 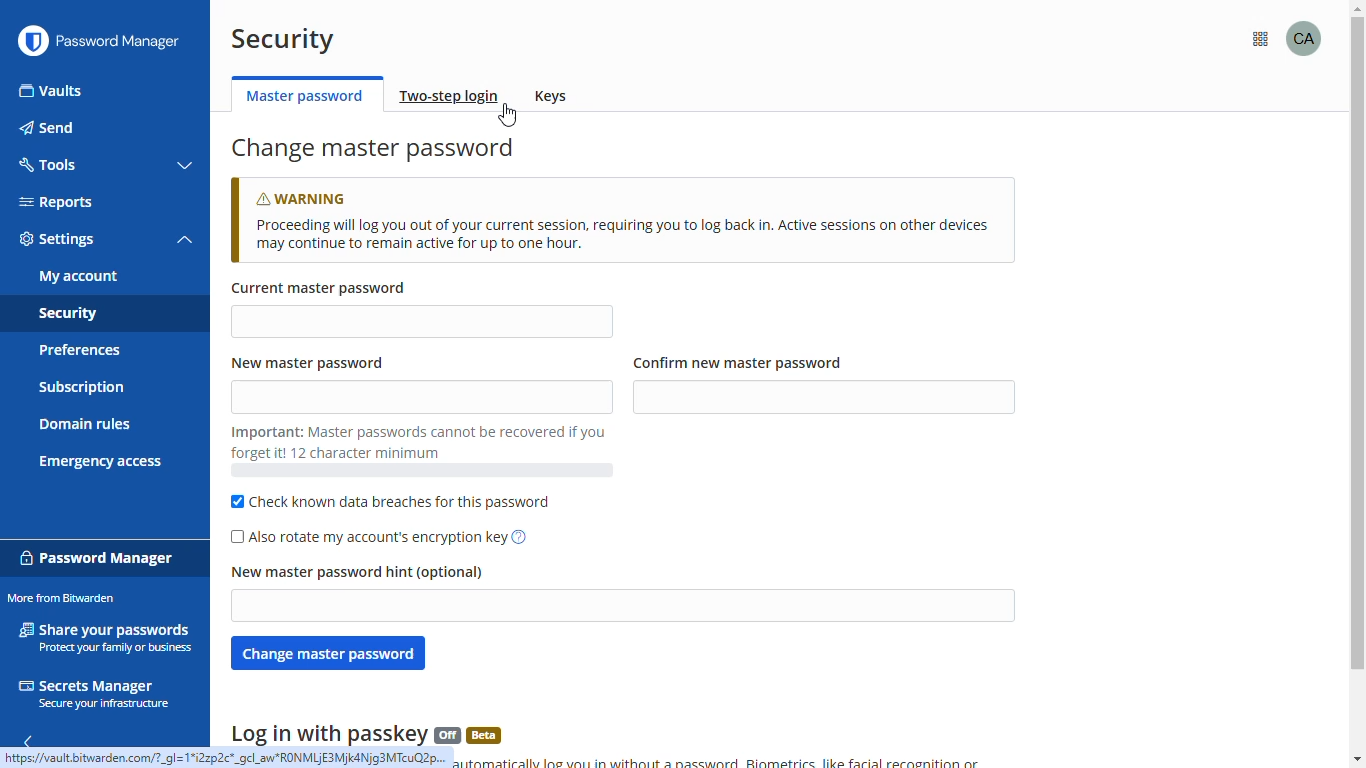 What do you see at coordinates (487, 736) in the screenshot?
I see `beta` at bounding box center [487, 736].